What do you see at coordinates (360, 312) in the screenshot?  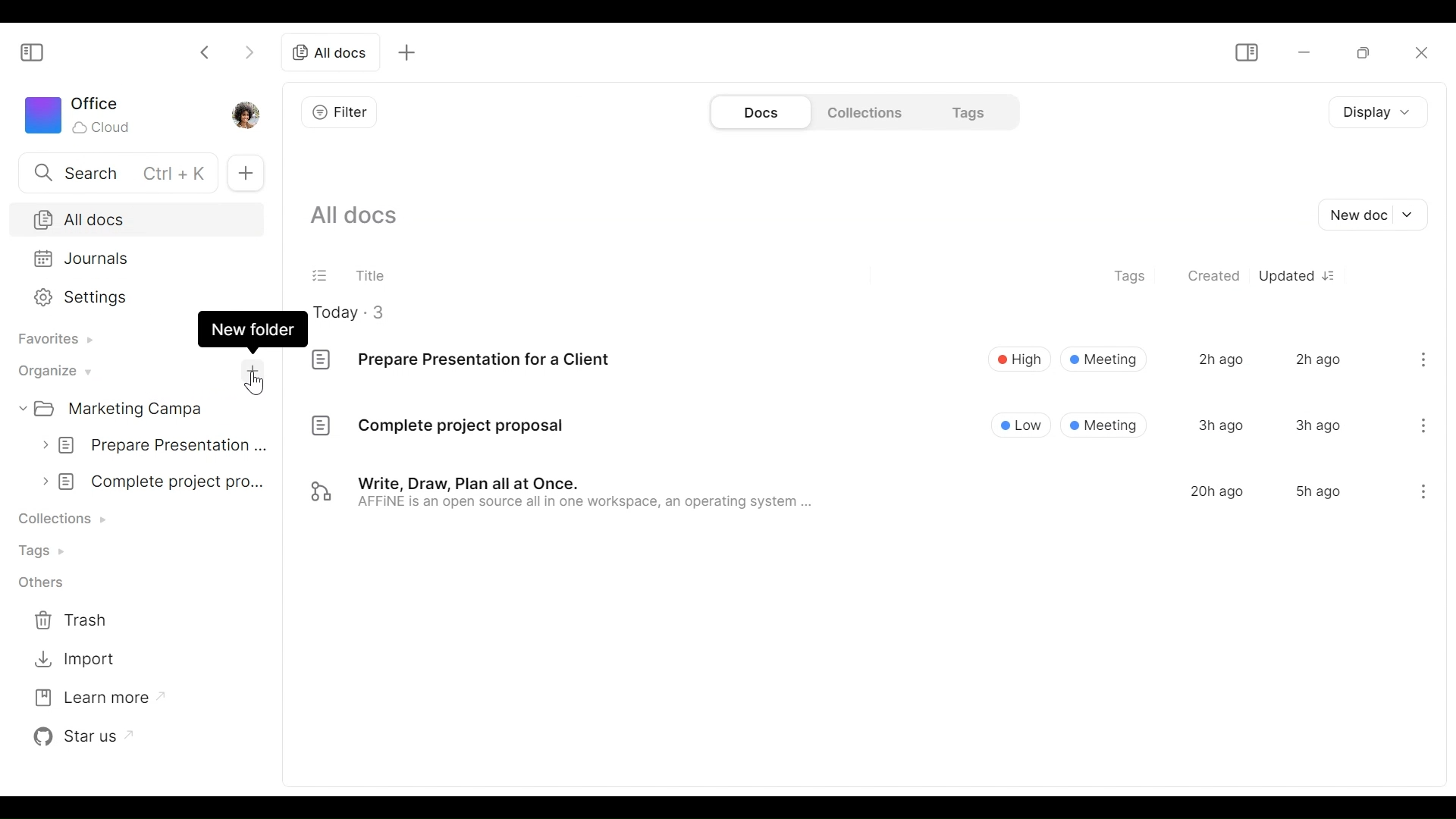 I see `Today - 3` at bounding box center [360, 312].